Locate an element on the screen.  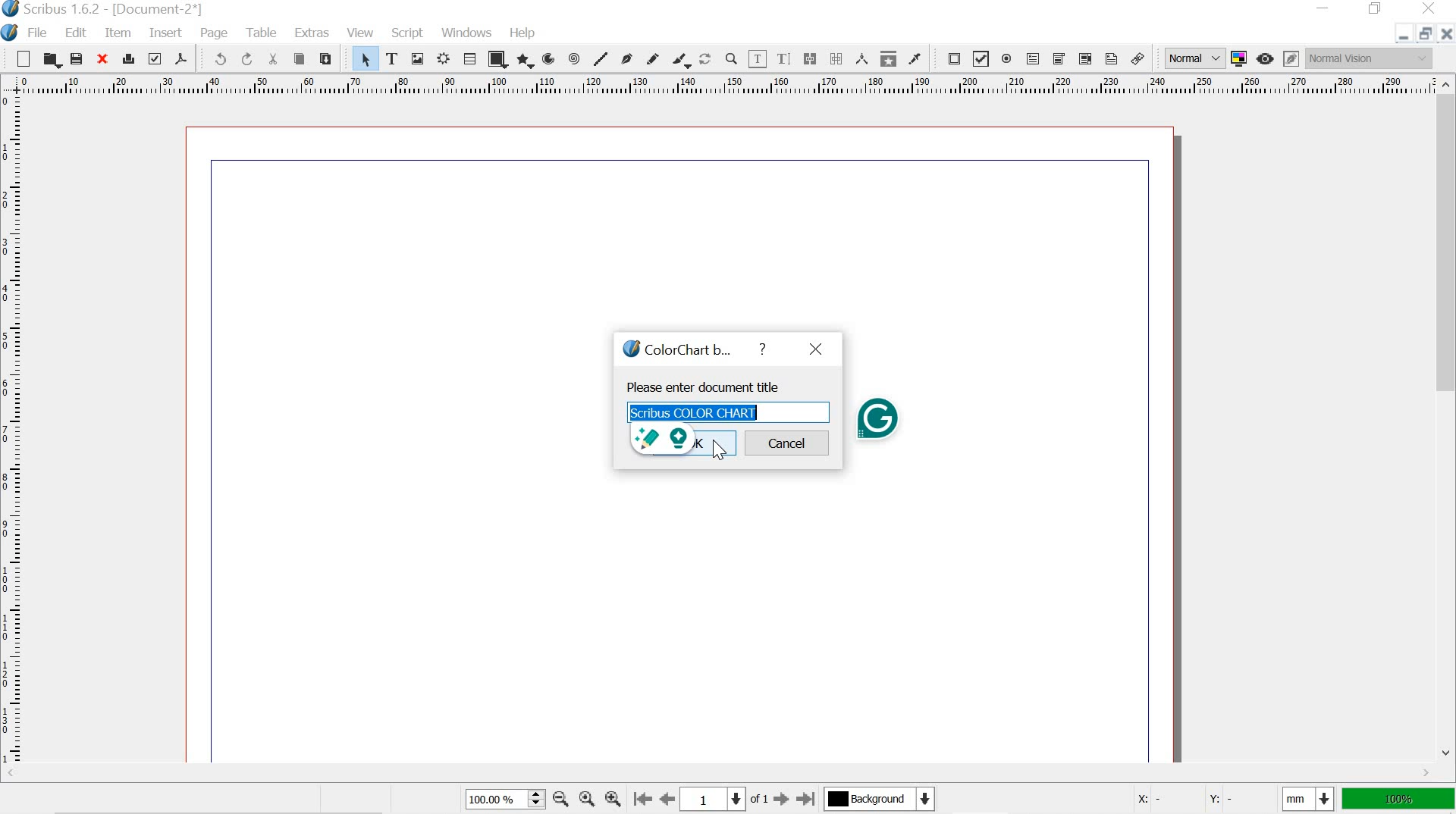
1 of 1 is located at coordinates (724, 798).